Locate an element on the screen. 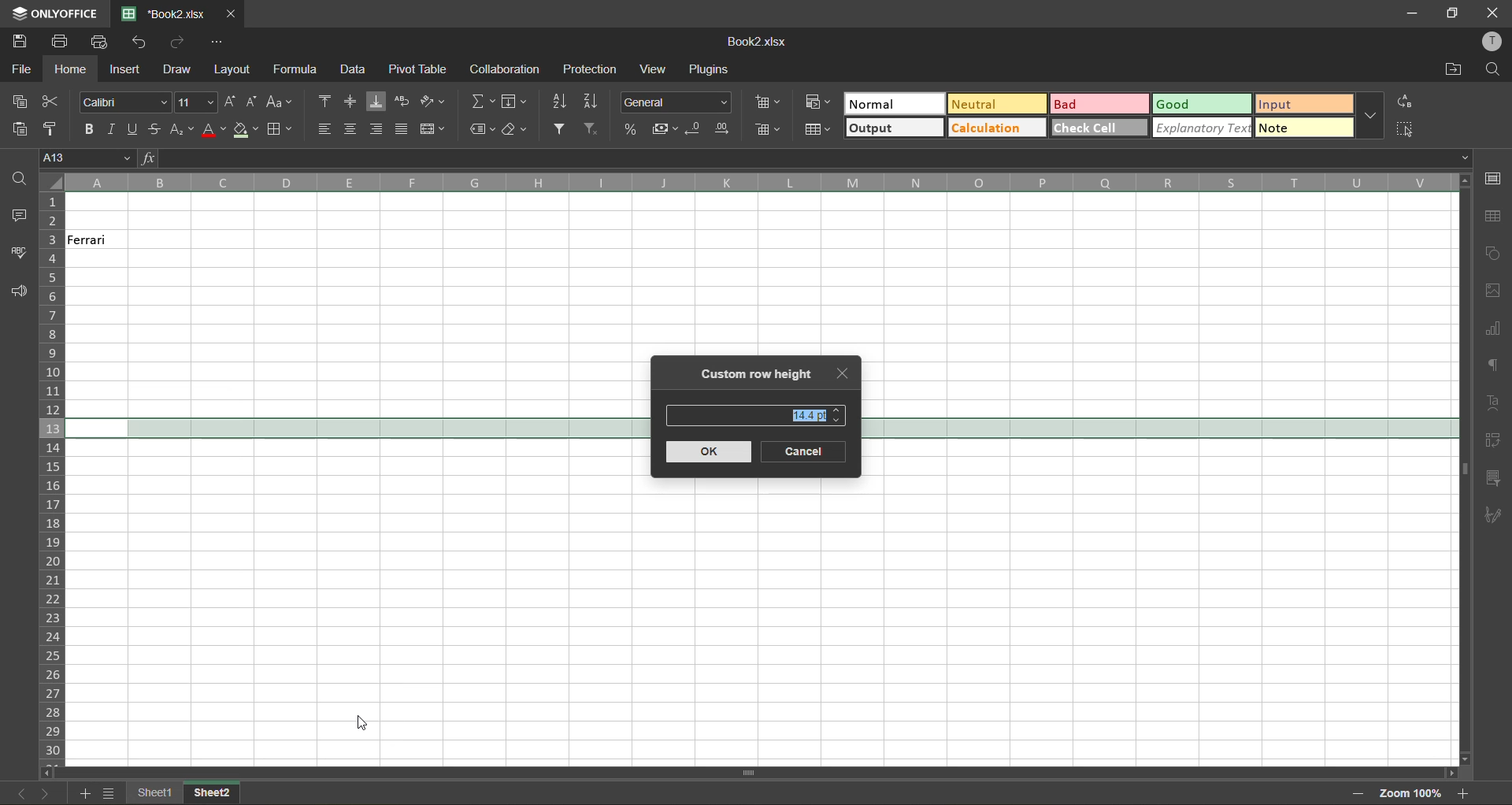  spellcheck is located at coordinates (19, 254).